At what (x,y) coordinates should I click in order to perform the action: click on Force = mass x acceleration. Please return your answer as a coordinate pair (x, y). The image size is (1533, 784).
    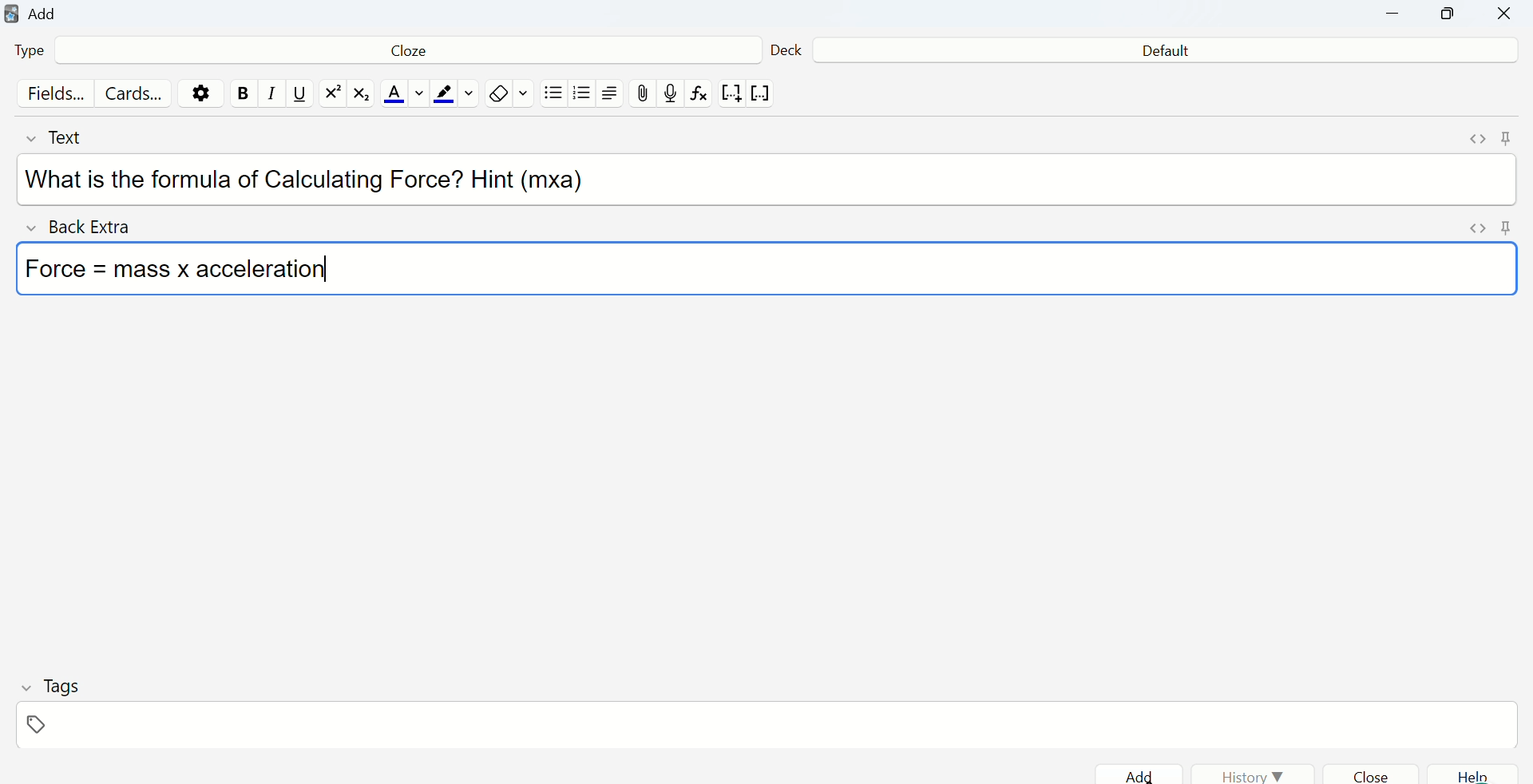
    Looking at the image, I should click on (191, 271).